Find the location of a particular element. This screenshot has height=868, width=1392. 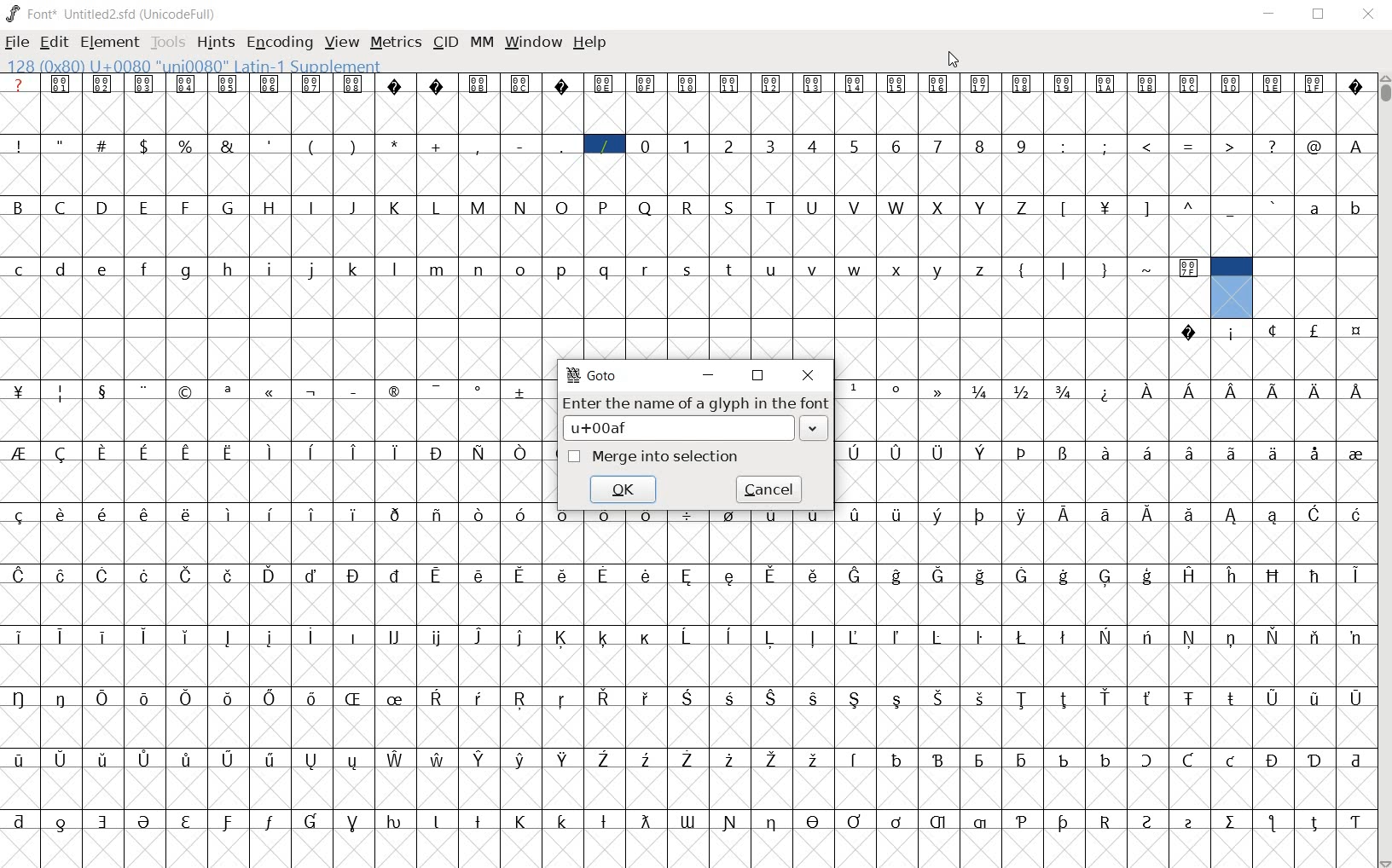

Symbol is located at coordinates (647, 697).